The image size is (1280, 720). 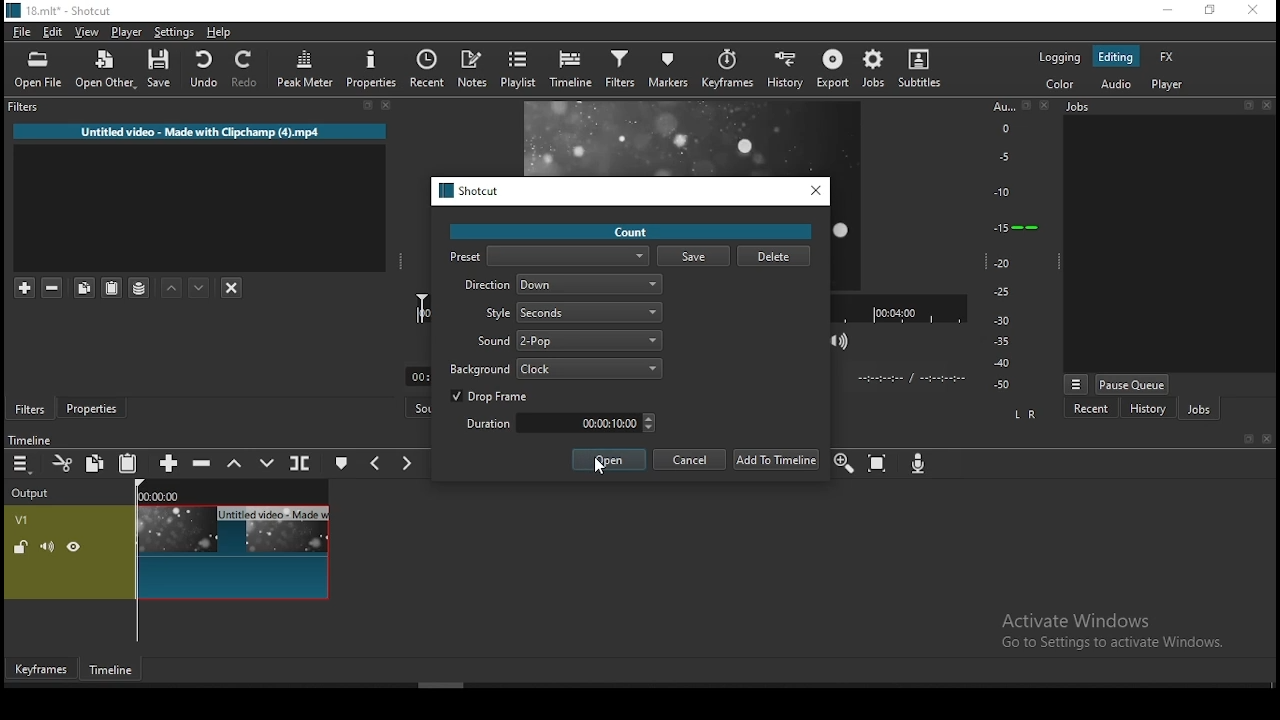 What do you see at coordinates (609, 460) in the screenshot?
I see `open` at bounding box center [609, 460].